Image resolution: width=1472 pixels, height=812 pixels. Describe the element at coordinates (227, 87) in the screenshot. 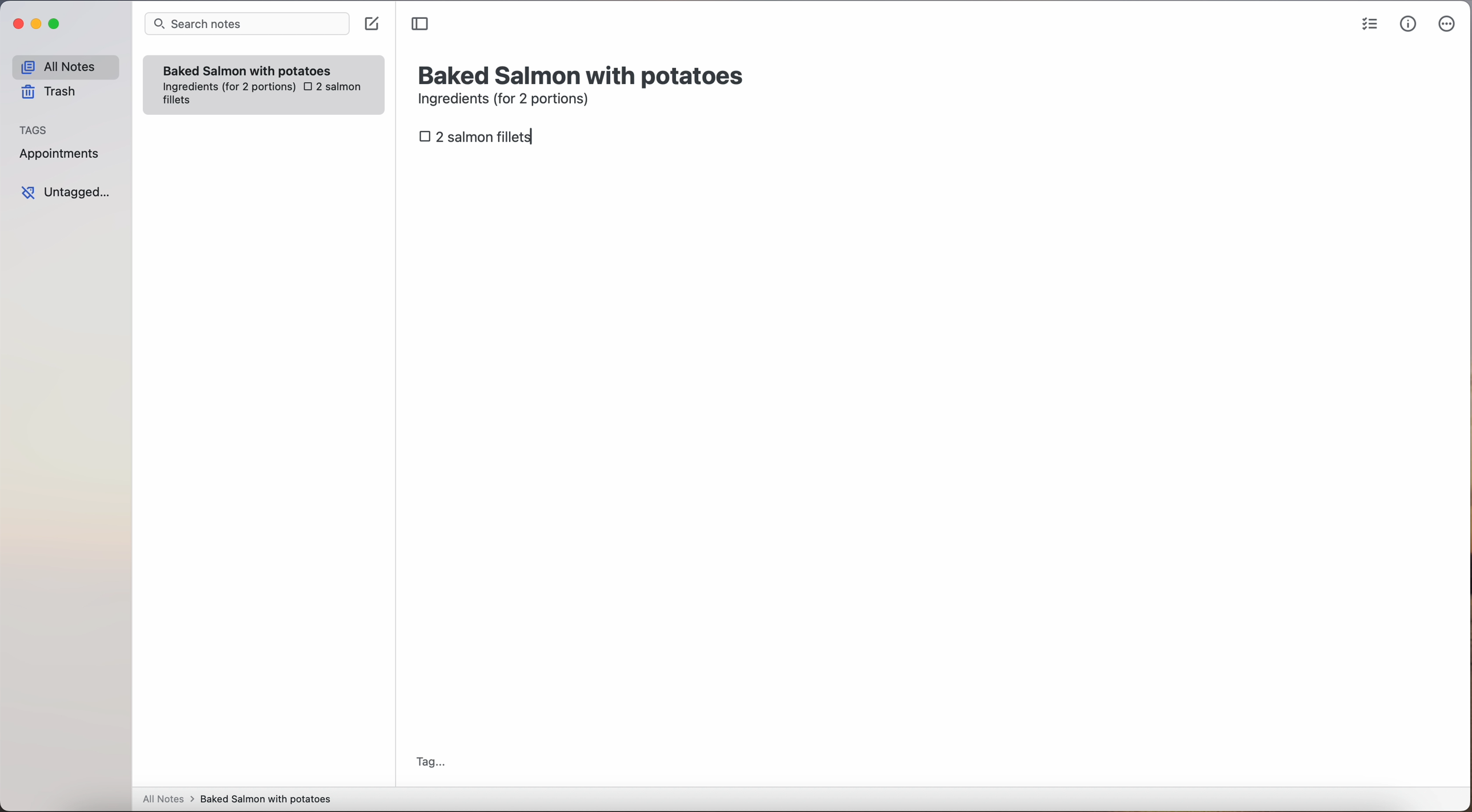

I see `ingredientes (for 2 portions)` at that location.